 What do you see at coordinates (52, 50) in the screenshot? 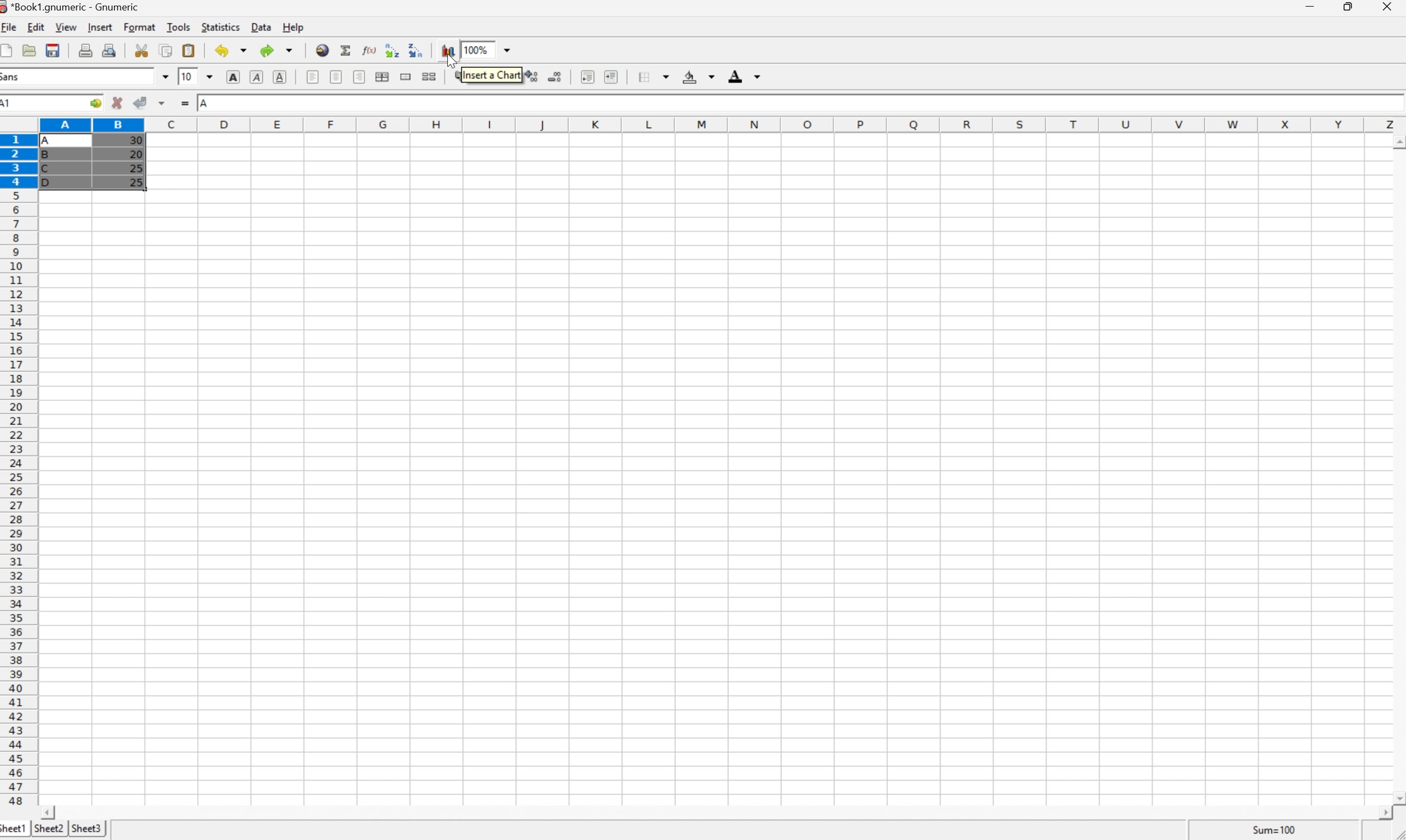
I see `Save the current workbook` at bounding box center [52, 50].